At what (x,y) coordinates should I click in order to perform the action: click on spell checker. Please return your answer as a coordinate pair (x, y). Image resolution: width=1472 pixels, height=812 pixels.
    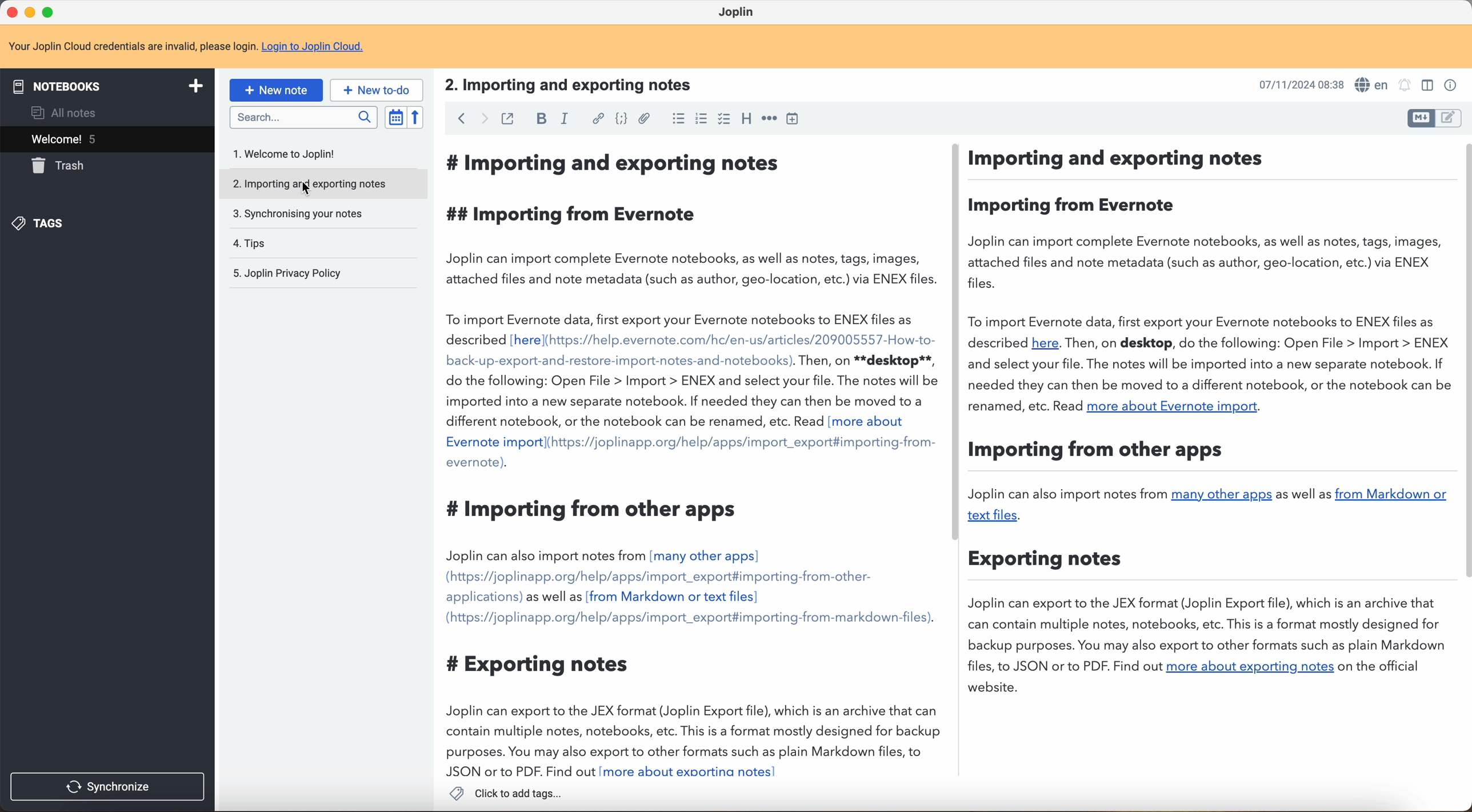
    Looking at the image, I should click on (1372, 83).